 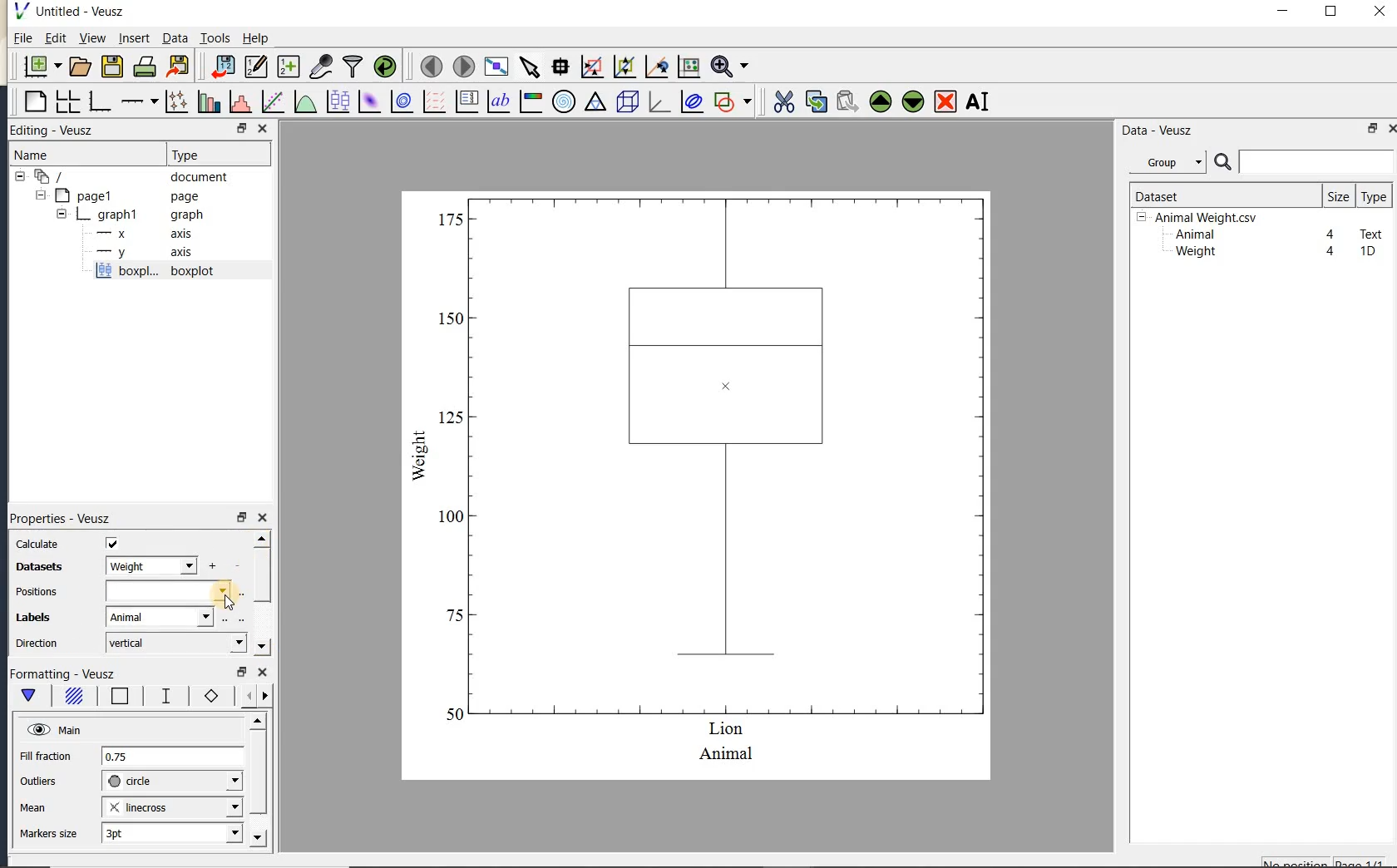 What do you see at coordinates (243, 673) in the screenshot?
I see `restore` at bounding box center [243, 673].